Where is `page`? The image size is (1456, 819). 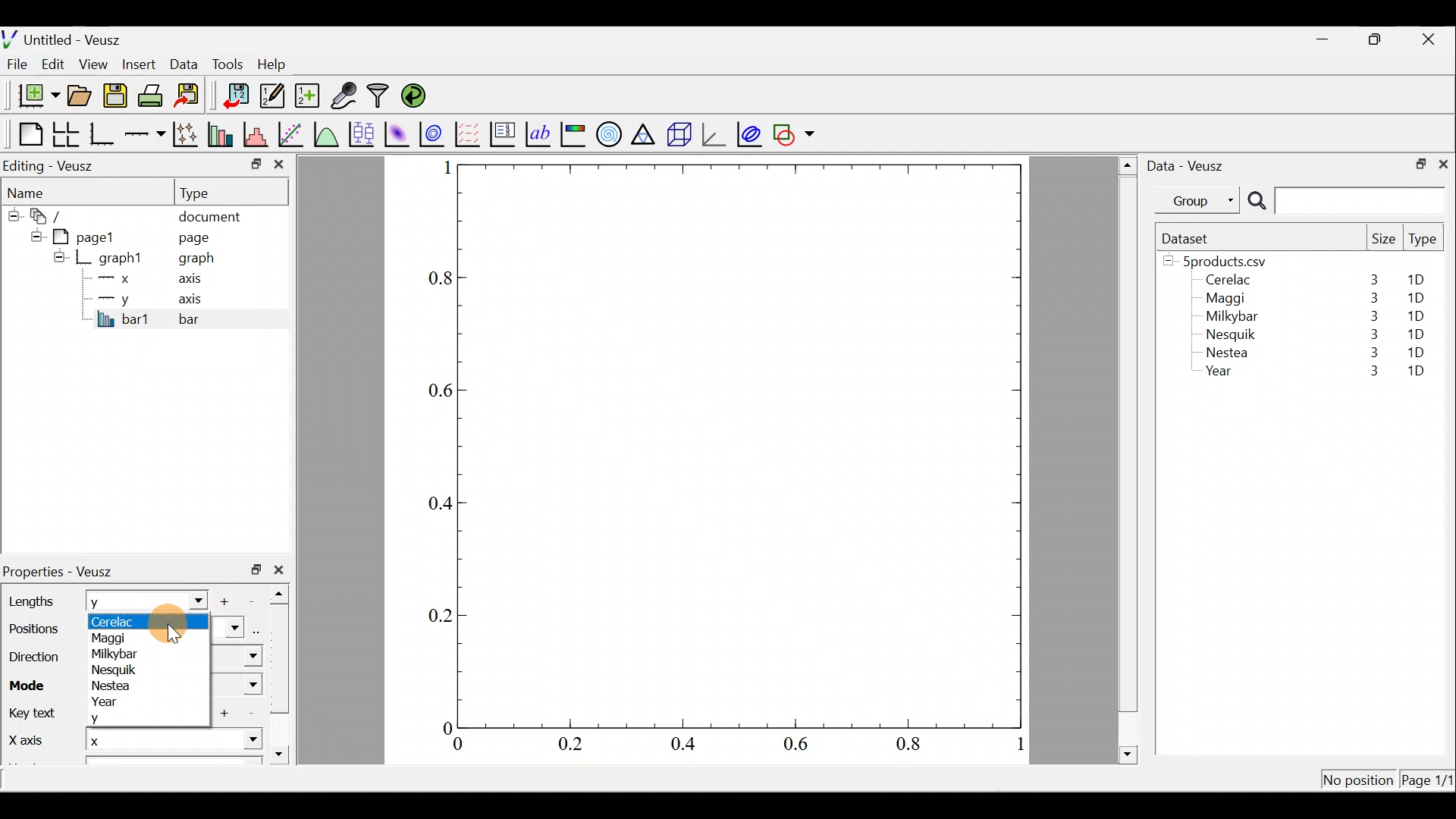 page is located at coordinates (193, 237).